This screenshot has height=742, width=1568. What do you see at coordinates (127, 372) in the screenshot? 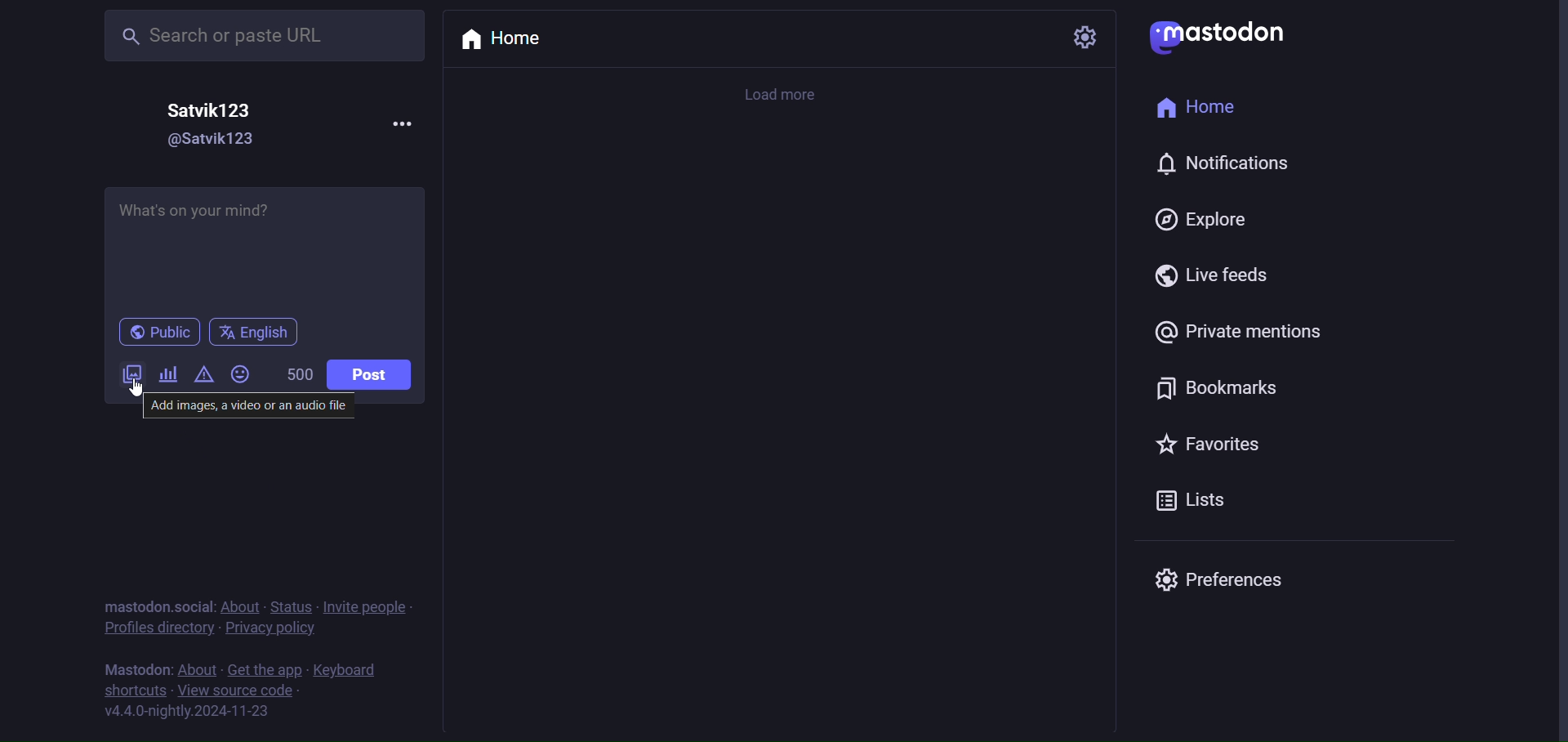
I see `image/video` at bounding box center [127, 372].